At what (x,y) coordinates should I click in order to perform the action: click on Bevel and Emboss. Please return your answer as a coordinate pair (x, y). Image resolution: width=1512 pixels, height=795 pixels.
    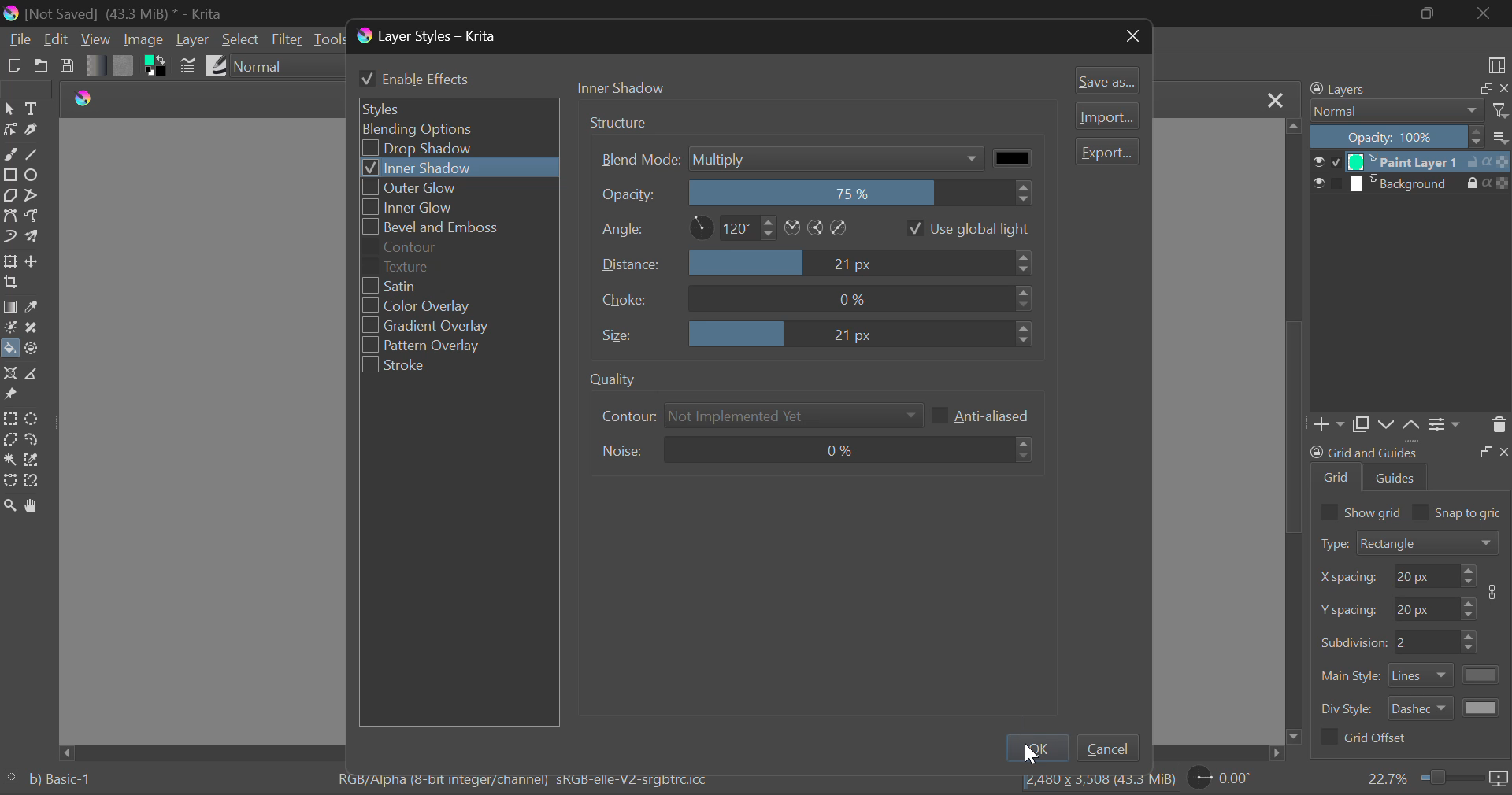
    Looking at the image, I should click on (443, 227).